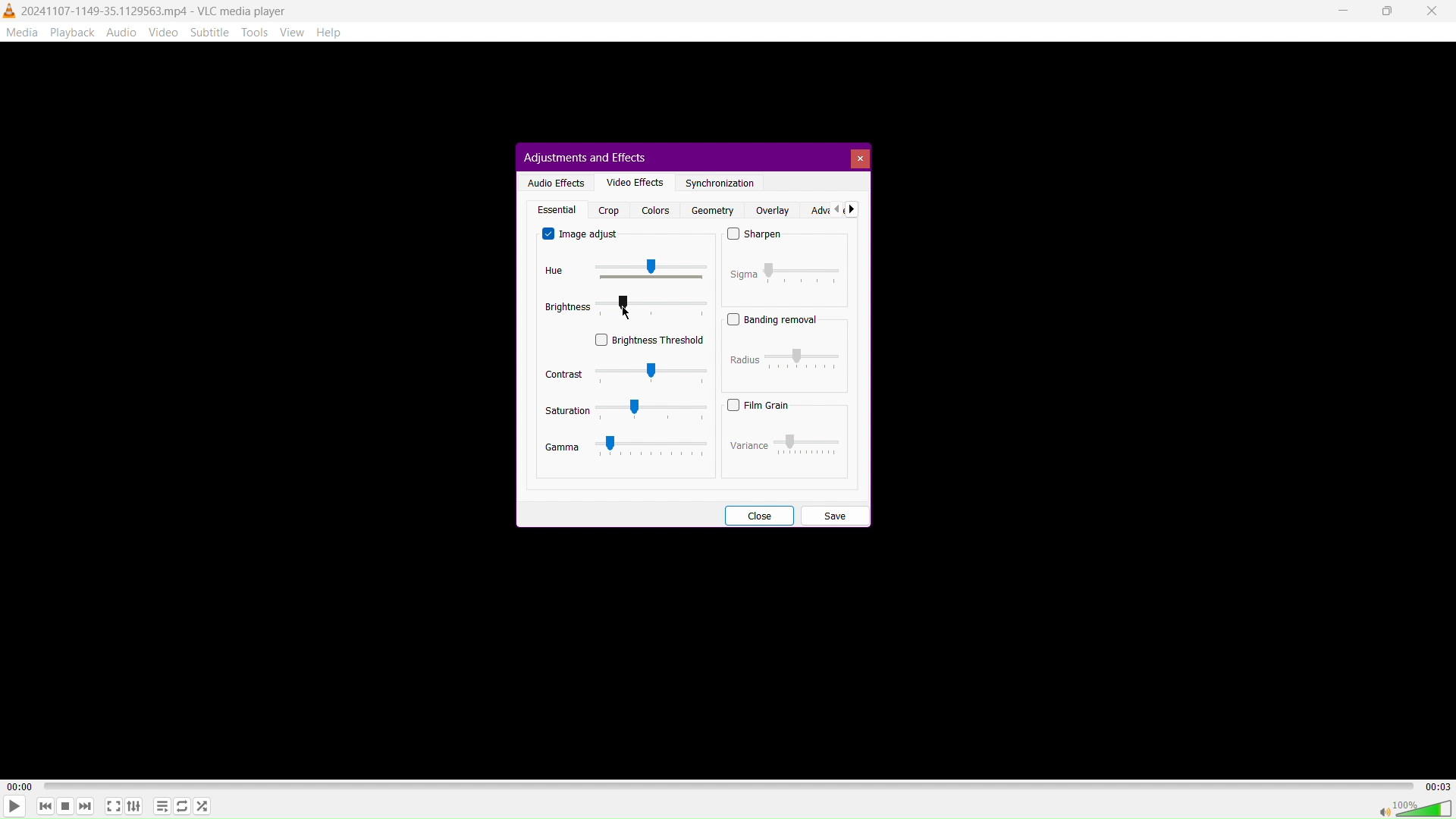 The image size is (1456, 819). Describe the element at coordinates (166, 32) in the screenshot. I see `Video` at that location.